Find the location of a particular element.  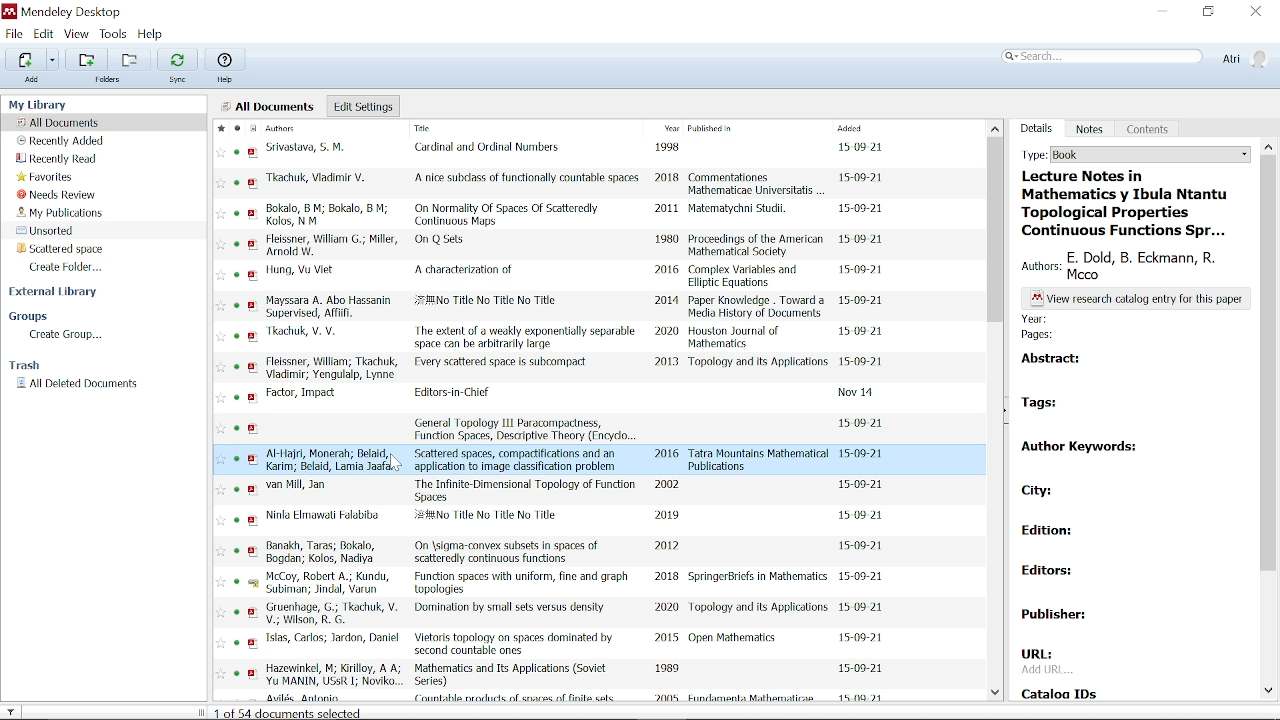

date is located at coordinates (864, 362).